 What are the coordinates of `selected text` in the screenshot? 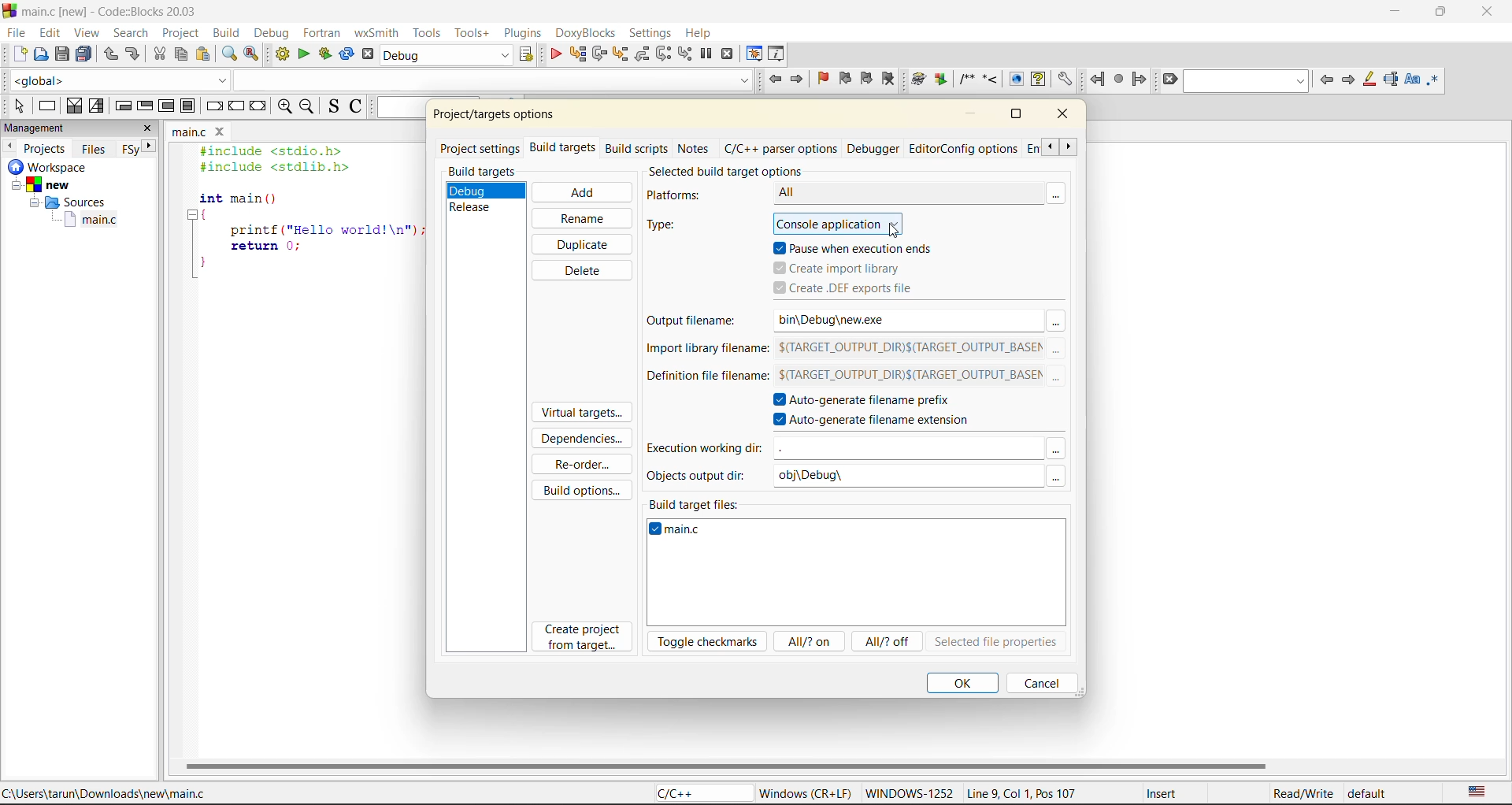 It's located at (1392, 80).